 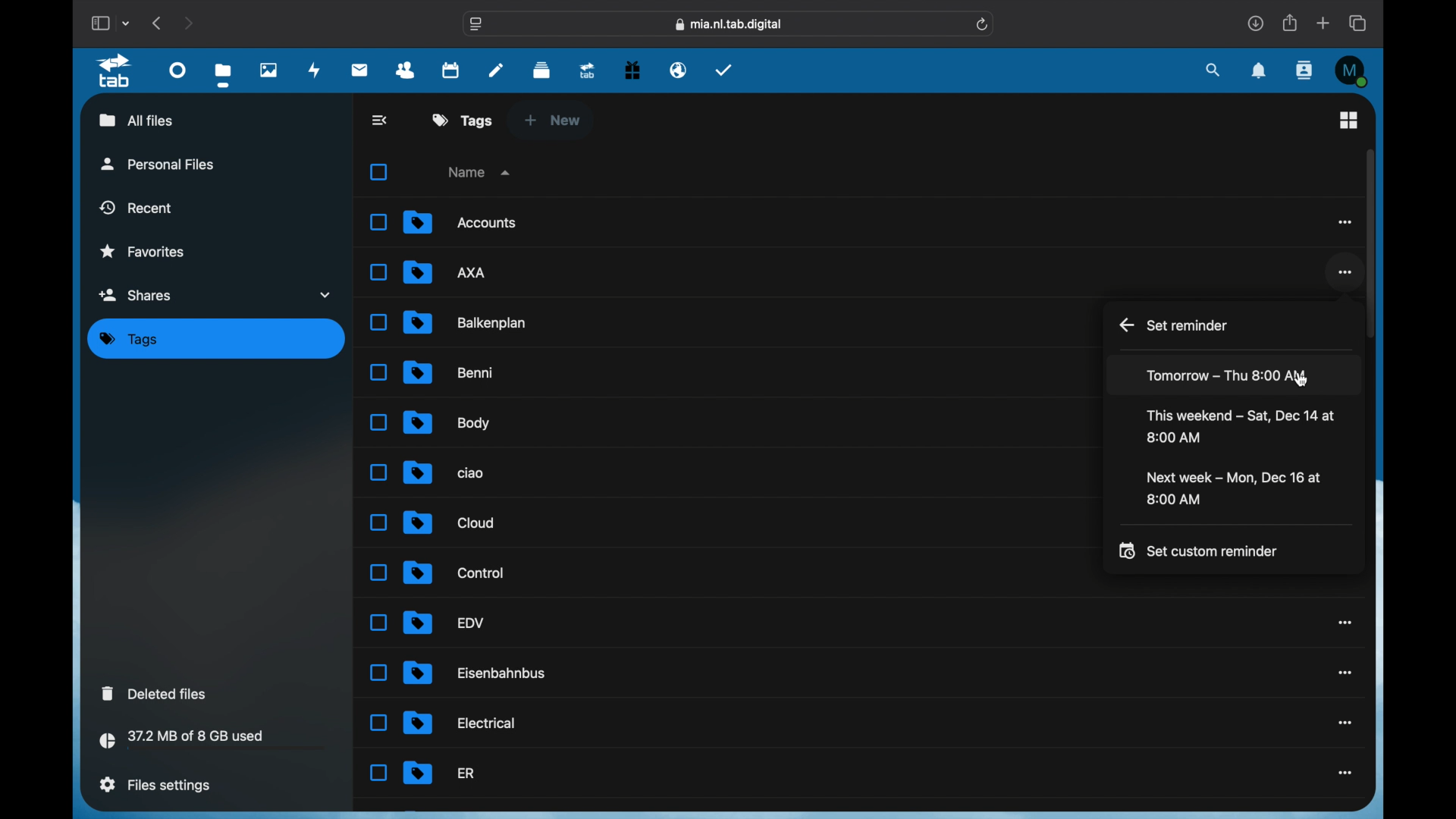 I want to click on share, so click(x=1291, y=23).